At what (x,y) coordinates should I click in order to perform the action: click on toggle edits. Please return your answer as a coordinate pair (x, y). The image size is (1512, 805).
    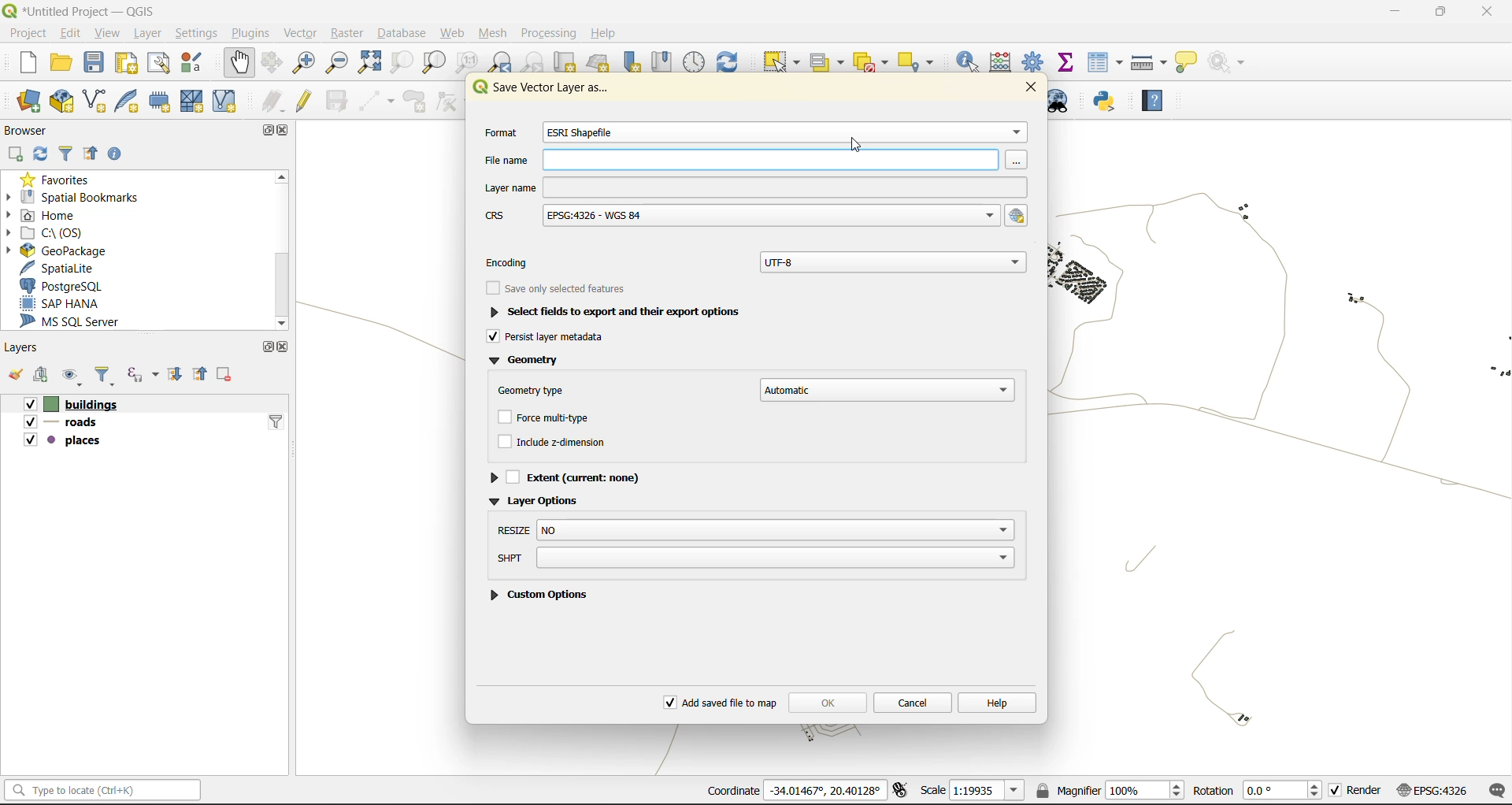
    Looking at the image, I should click on (304, 99).